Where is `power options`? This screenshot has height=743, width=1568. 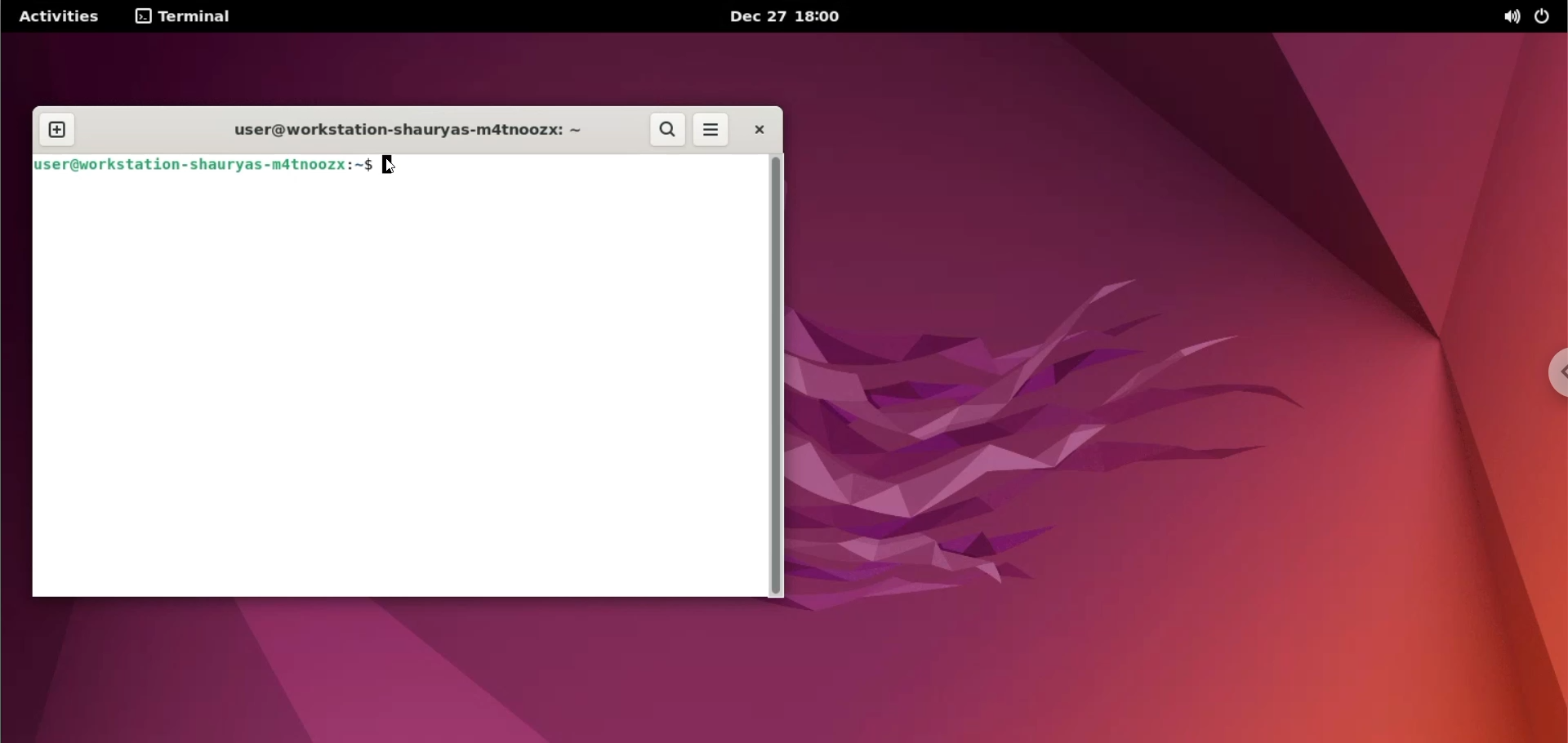 power options is located at coordinates (1542, 19).